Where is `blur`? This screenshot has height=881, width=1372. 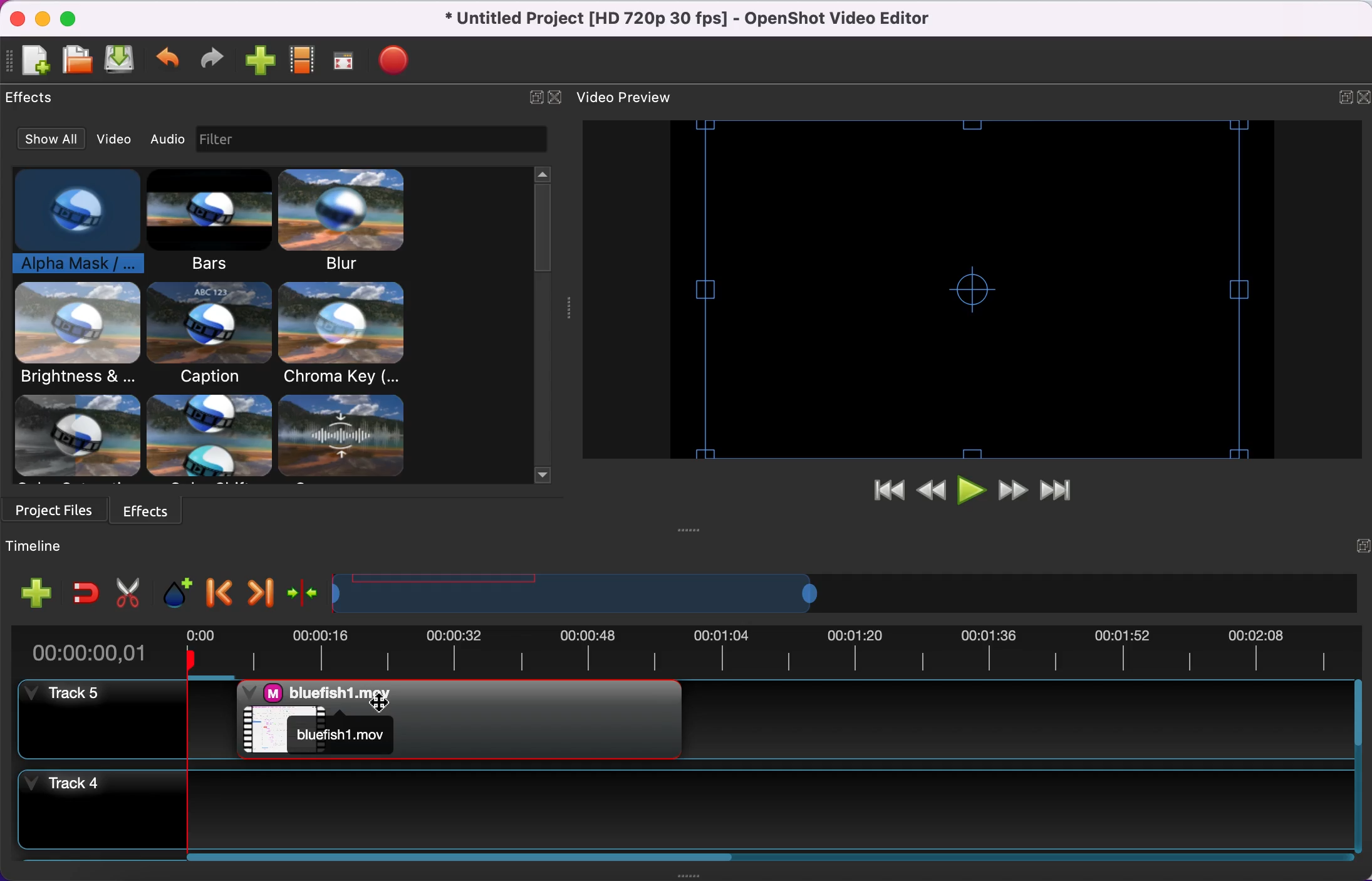 blur is located at coordinates (347, 221).